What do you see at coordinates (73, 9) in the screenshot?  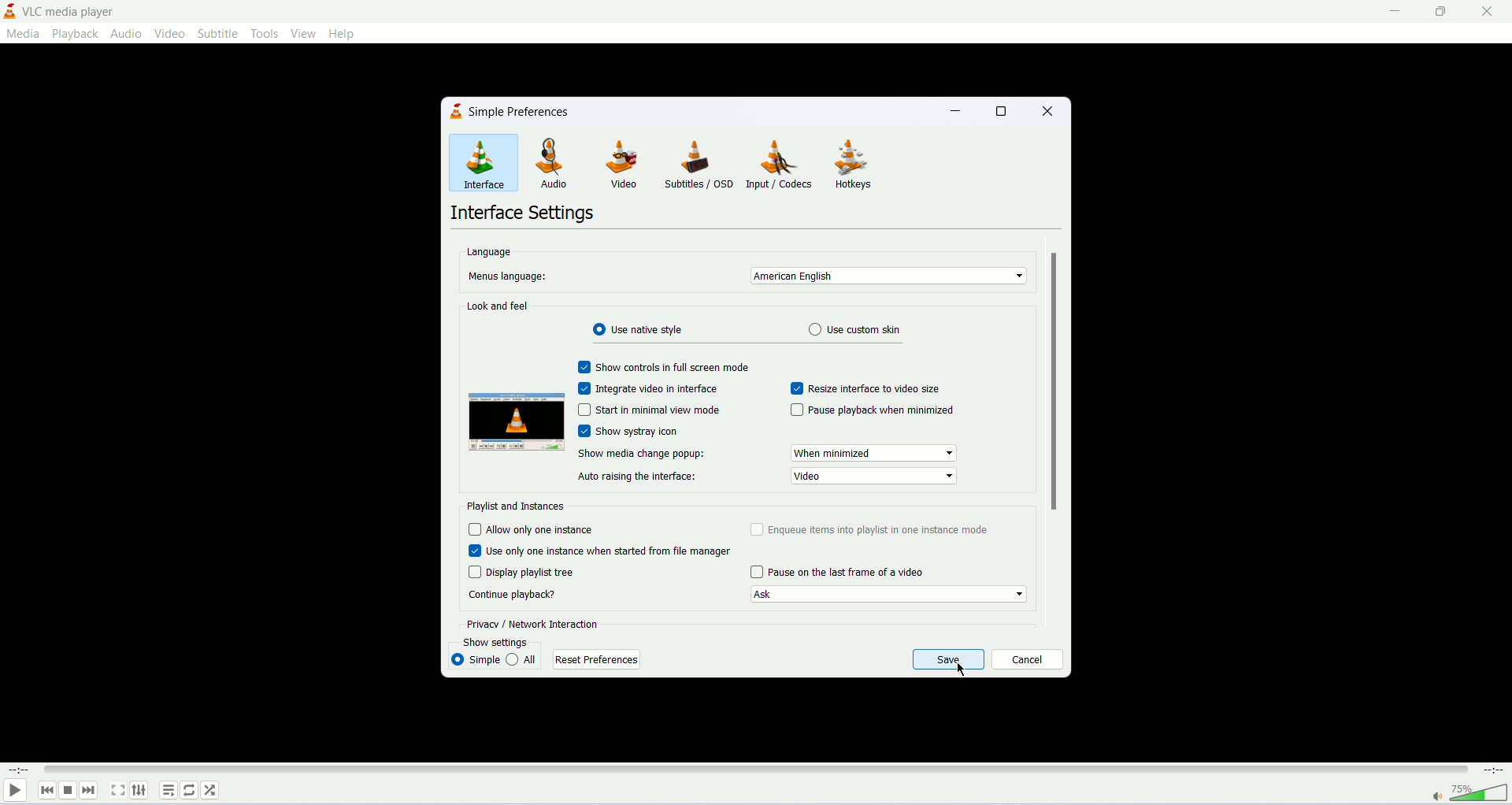 I see `vlc media player` at bounding box center [73, 9].